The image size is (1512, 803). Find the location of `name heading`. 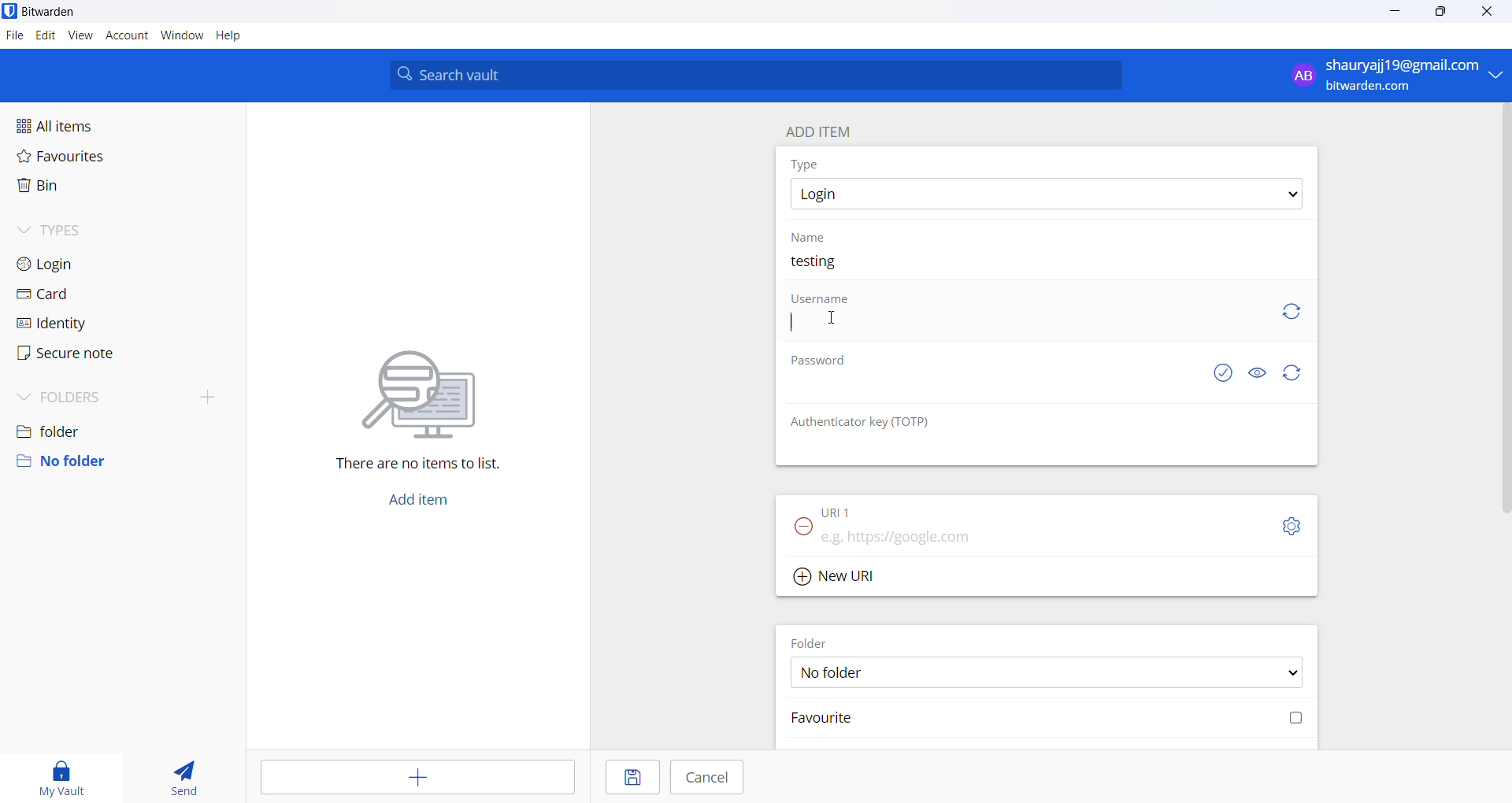

name heading is located at coordinates (814, 237).